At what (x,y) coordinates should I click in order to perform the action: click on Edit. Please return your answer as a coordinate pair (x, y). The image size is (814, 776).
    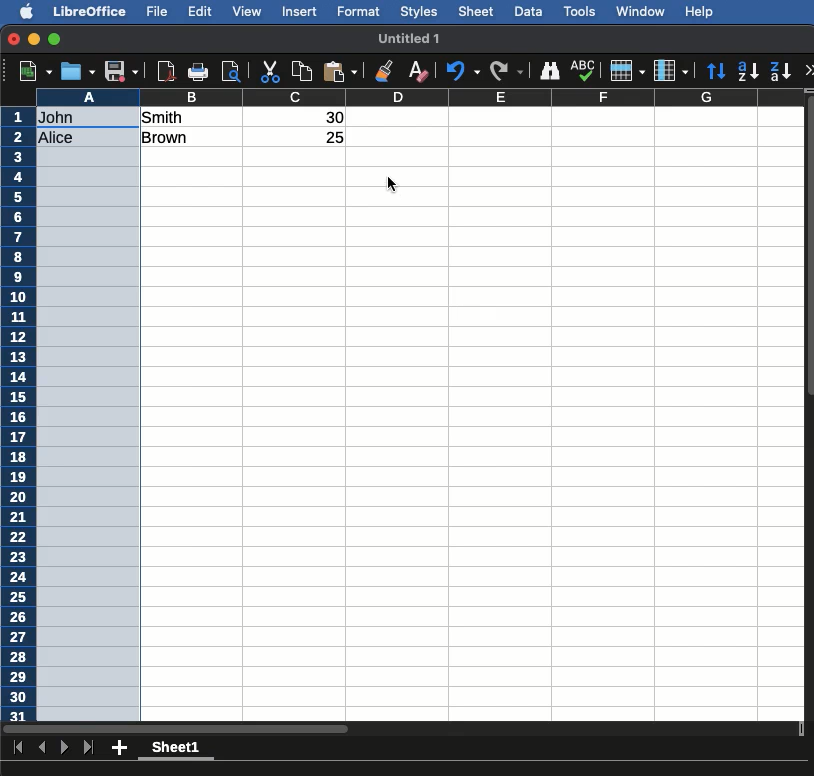
    Looking at the image, I should click on (200, 10).